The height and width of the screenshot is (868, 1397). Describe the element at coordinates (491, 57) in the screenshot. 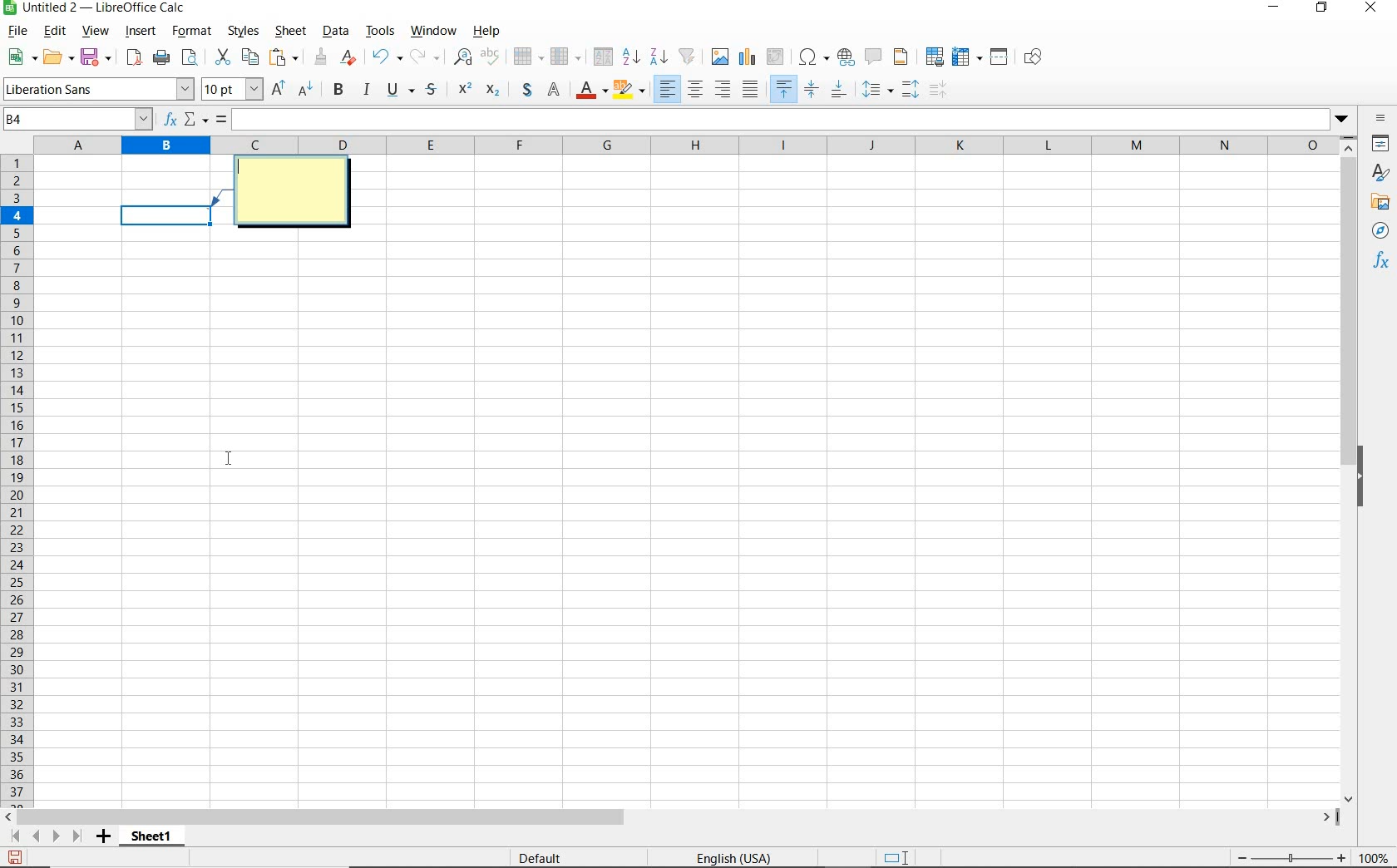

I see `spelling` at that location.